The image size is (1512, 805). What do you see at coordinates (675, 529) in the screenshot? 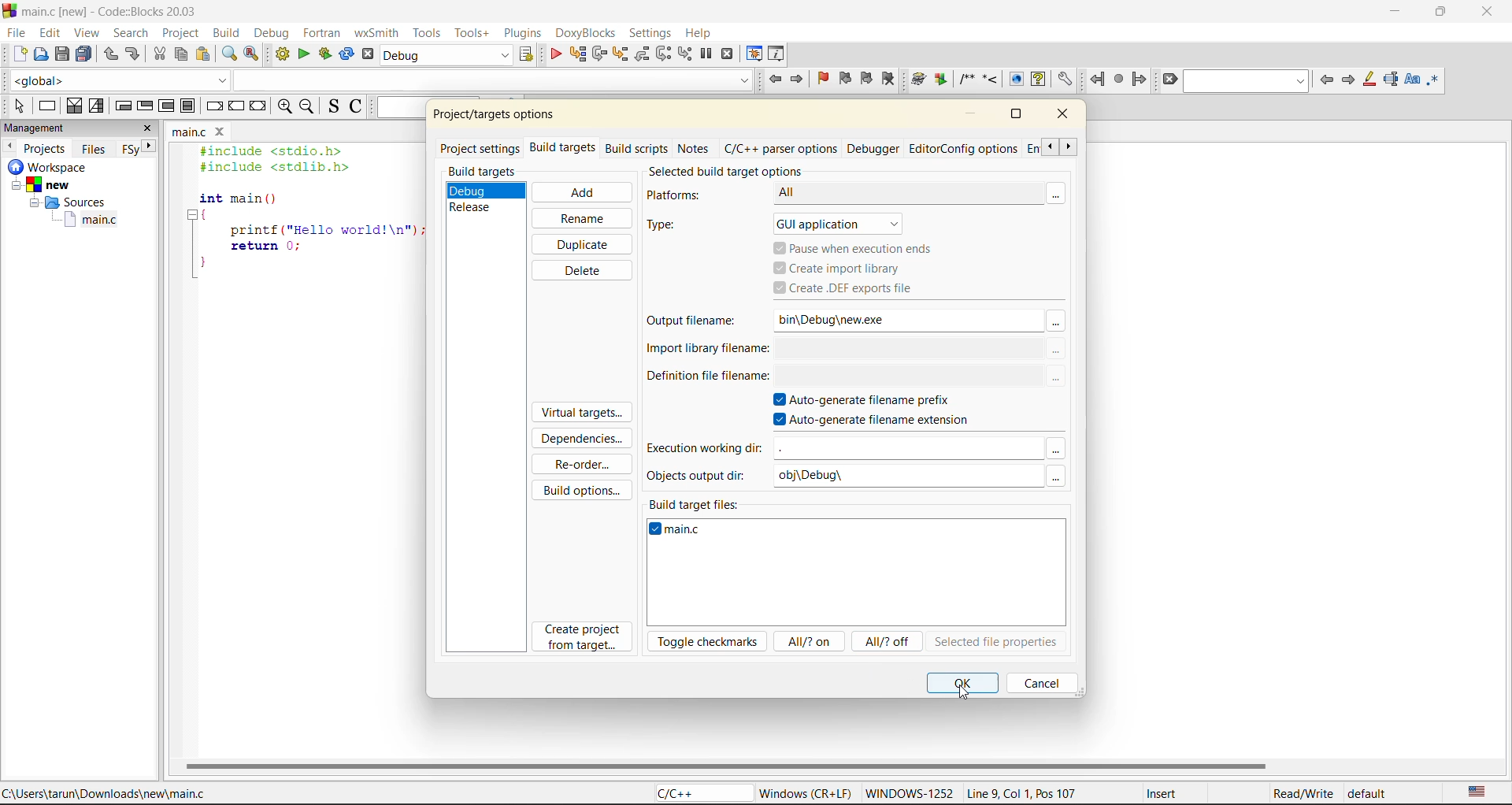
I see `main.c` at bounding box center [675, 529].